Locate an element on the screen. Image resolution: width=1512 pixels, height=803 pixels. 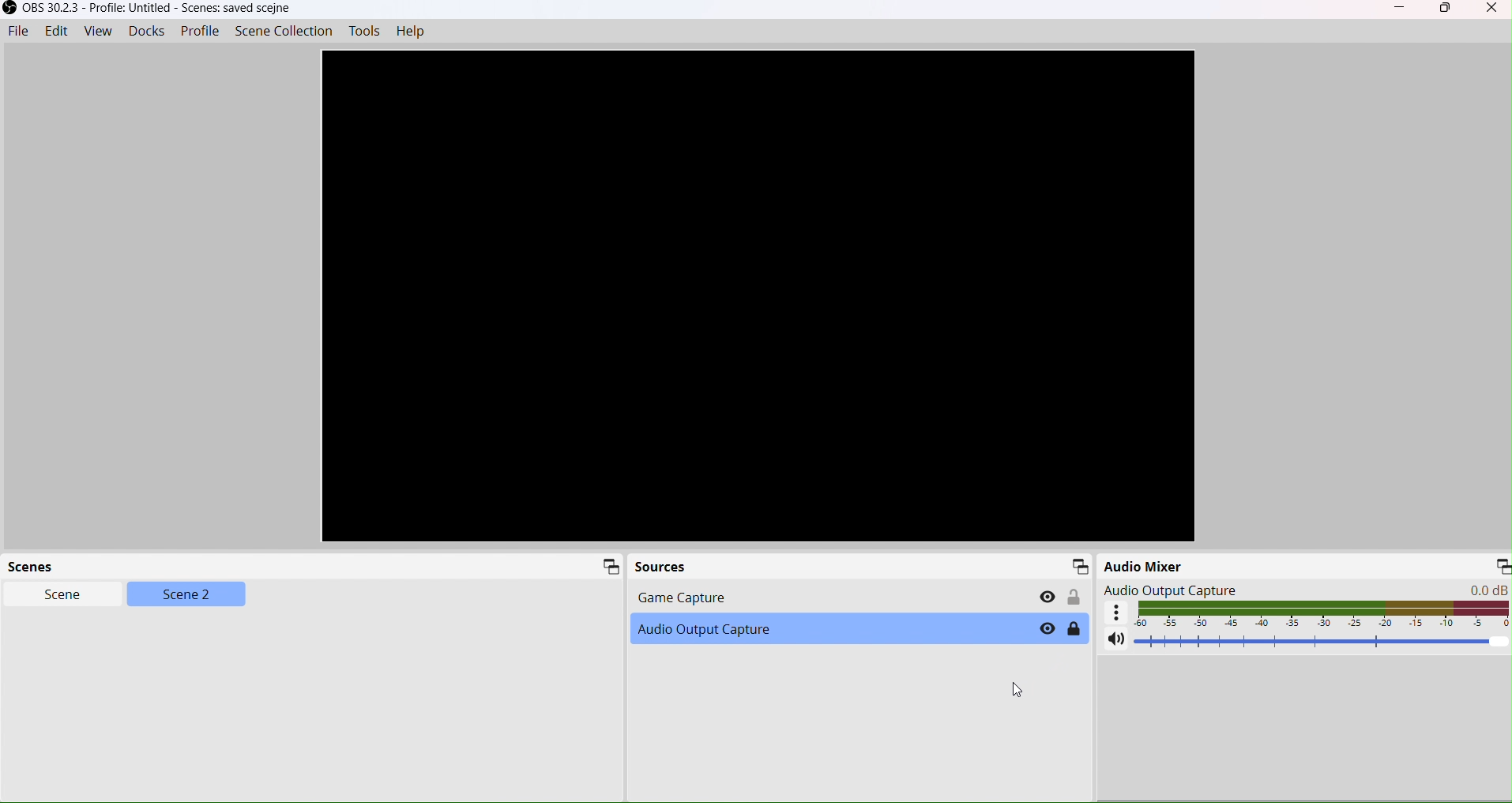
View is located at coordinates (98, 32).